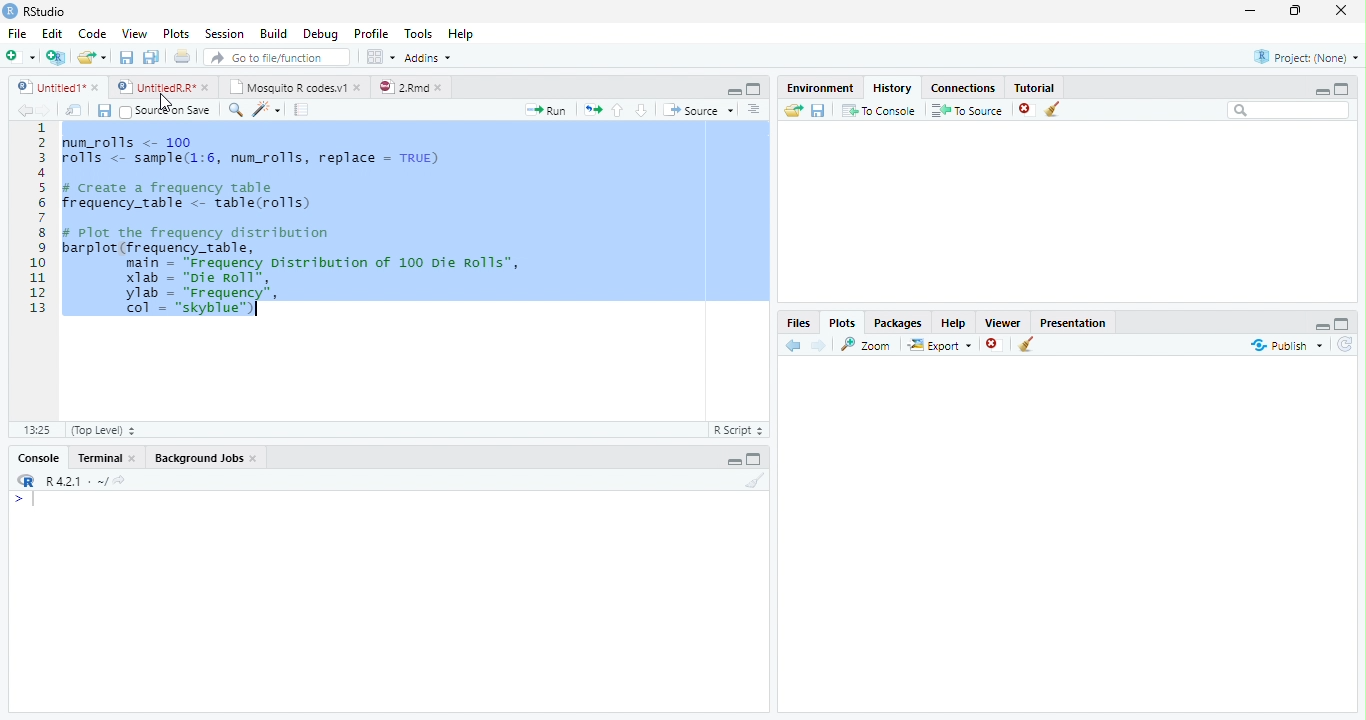  What do you see at coordinates (1344, 345) in the screenshot?
I see `Refresh List` at bounding box center [1344, 345].